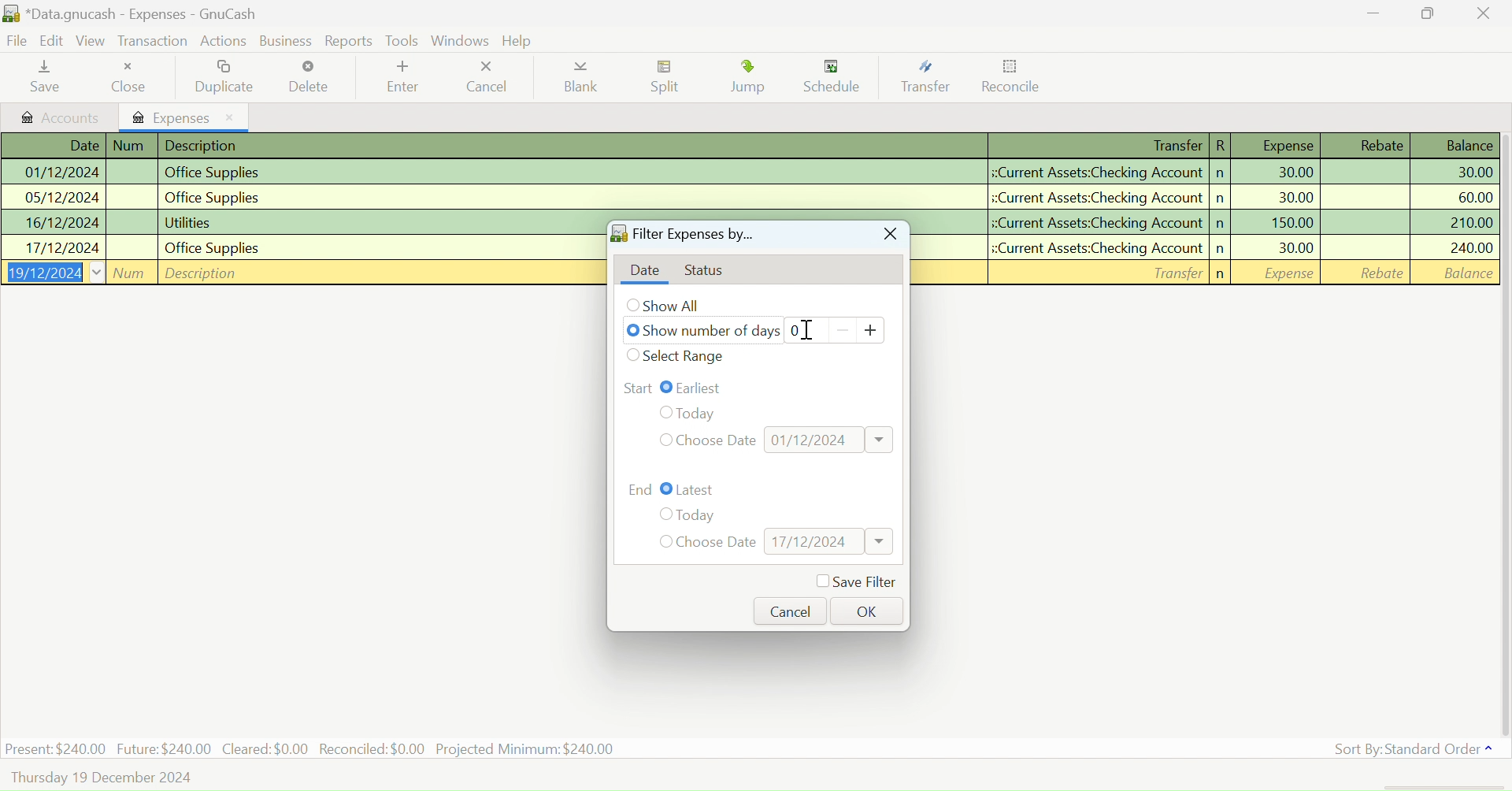 The image size is (1512, 791). What do you see at coordinates (1211, 221) in the screenshot?
I see `Utilities Transaction` at bounding box center [1211, 221].